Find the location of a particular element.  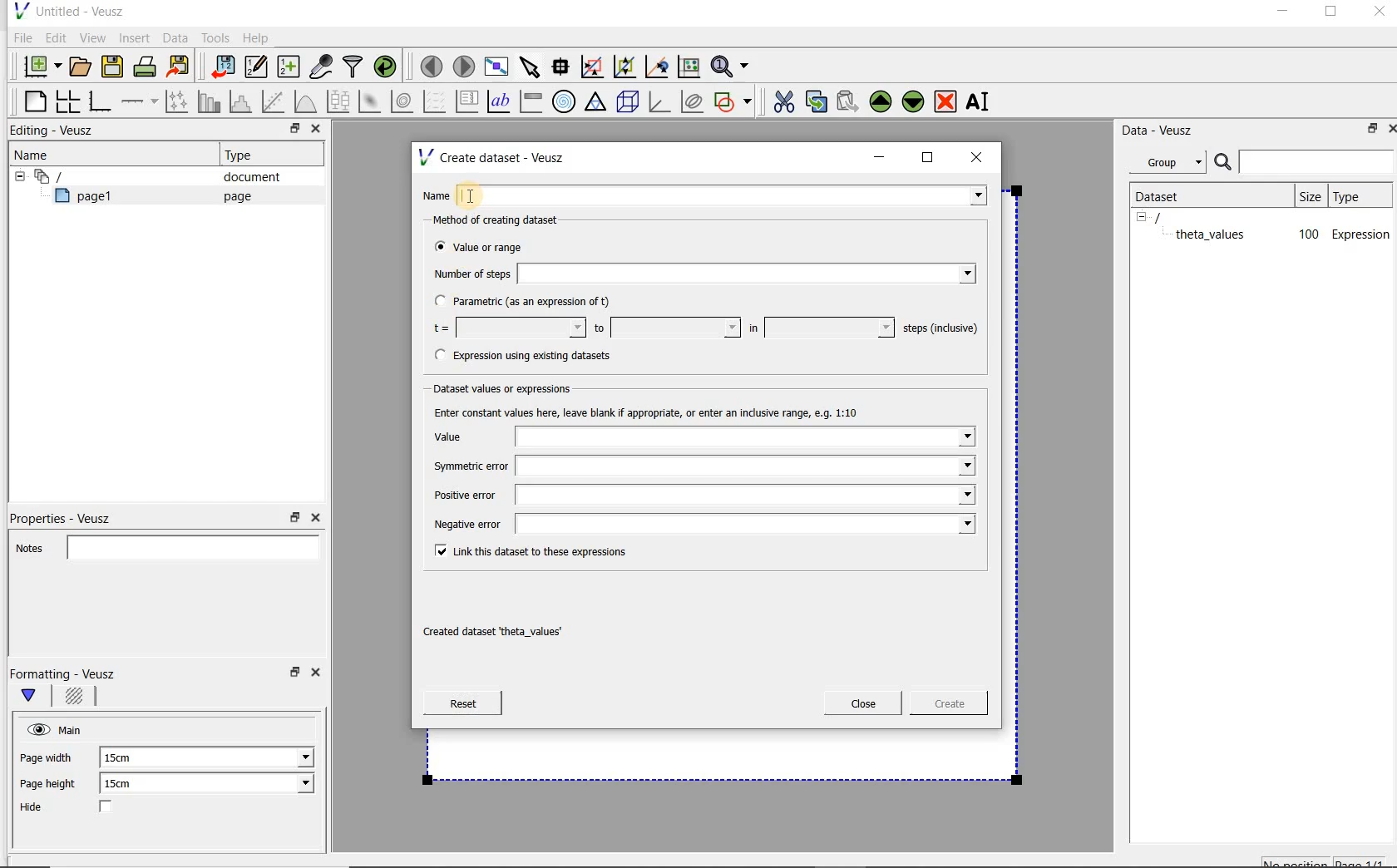

click to recenter graph axes is located at coordinates (658, 67).